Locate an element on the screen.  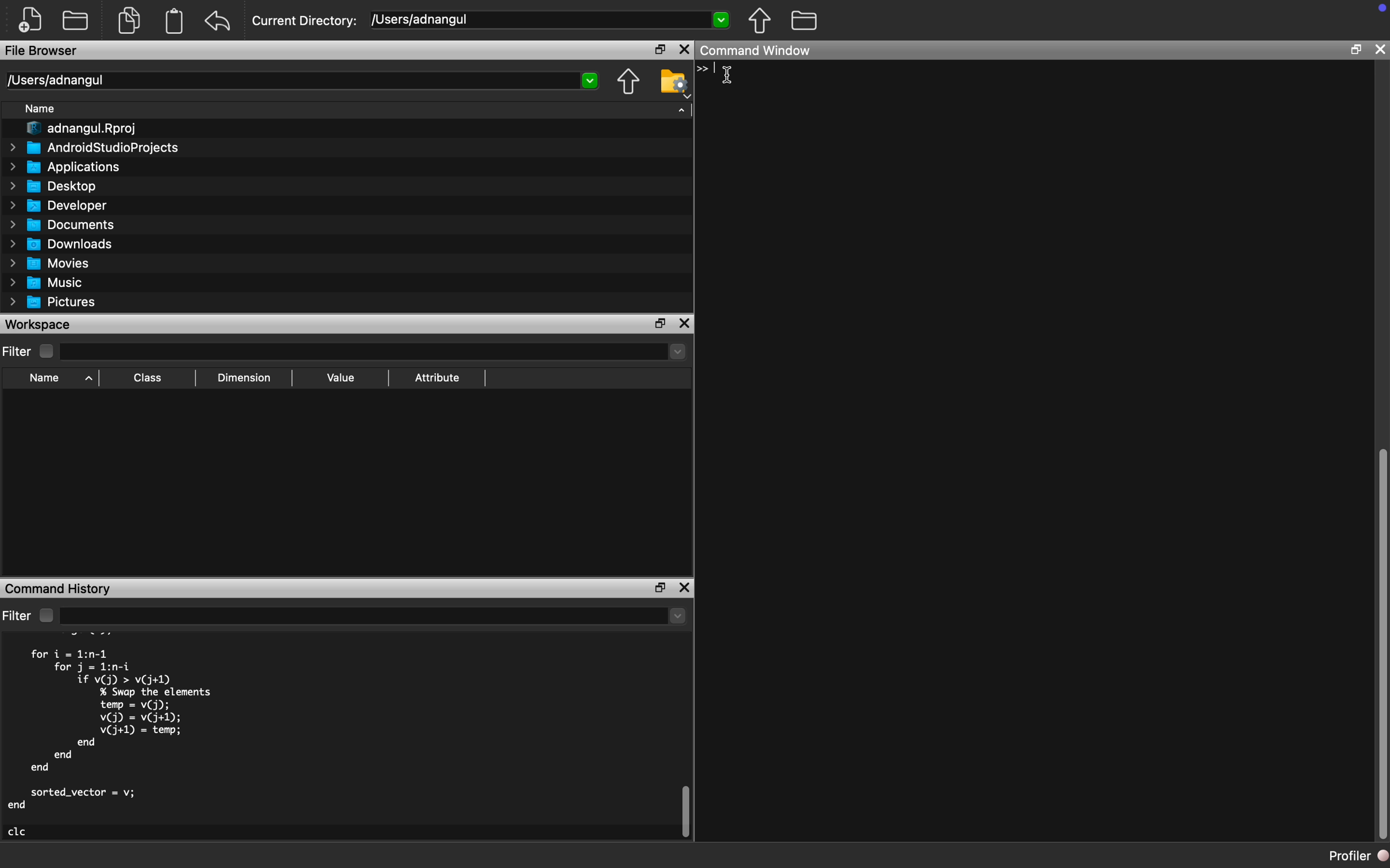
Restore Down is located at coordinates (1354, 50).